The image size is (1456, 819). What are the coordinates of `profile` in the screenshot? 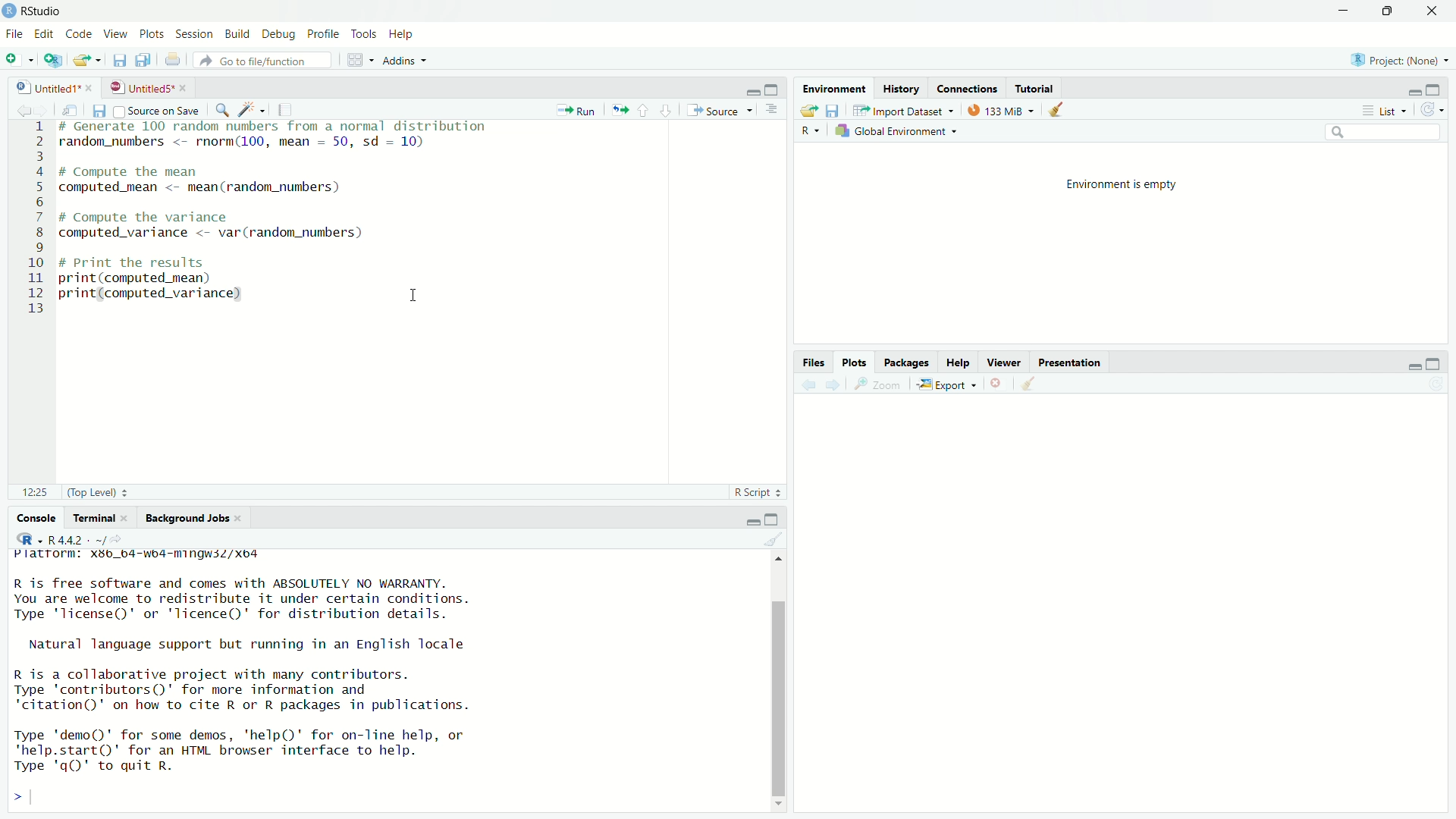 It's located at (325, 32).